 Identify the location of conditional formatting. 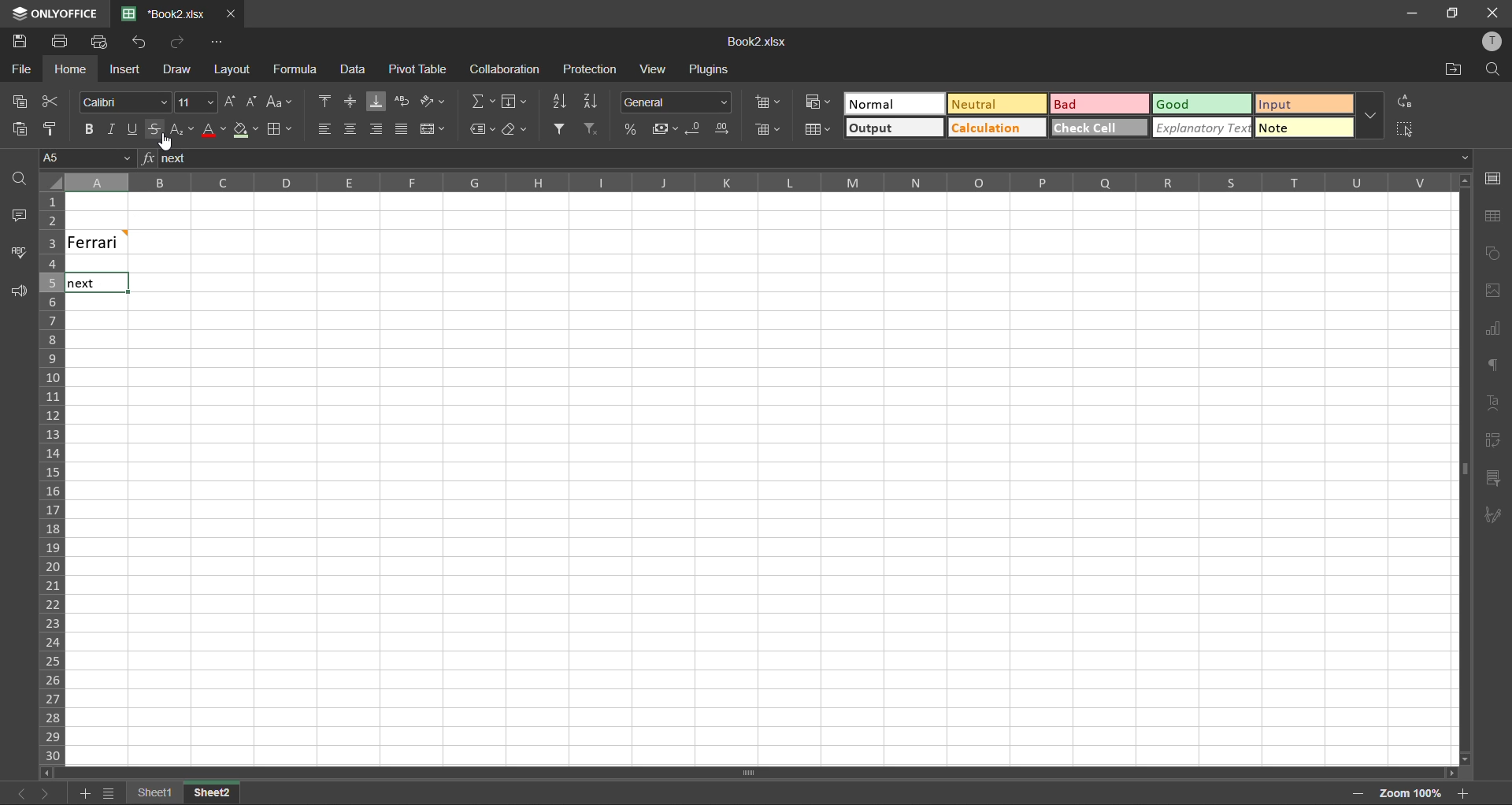
(815, 101).